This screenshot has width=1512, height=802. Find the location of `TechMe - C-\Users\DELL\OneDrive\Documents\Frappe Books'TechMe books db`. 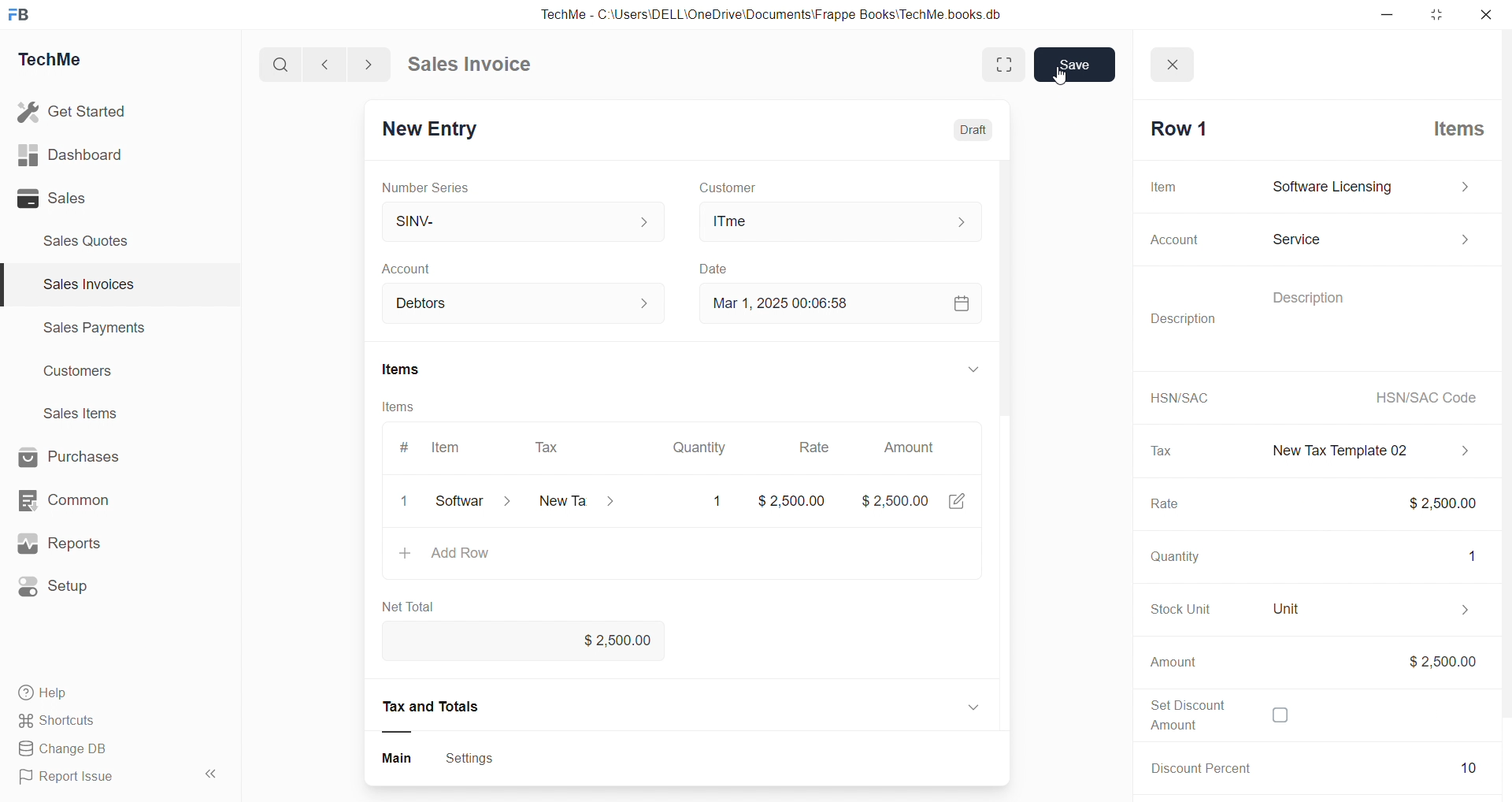

TechMe - C-\Users\DELL\OneDrive\Documents\Frappe Books'TechMe books db is located at coordinates (787, 12).